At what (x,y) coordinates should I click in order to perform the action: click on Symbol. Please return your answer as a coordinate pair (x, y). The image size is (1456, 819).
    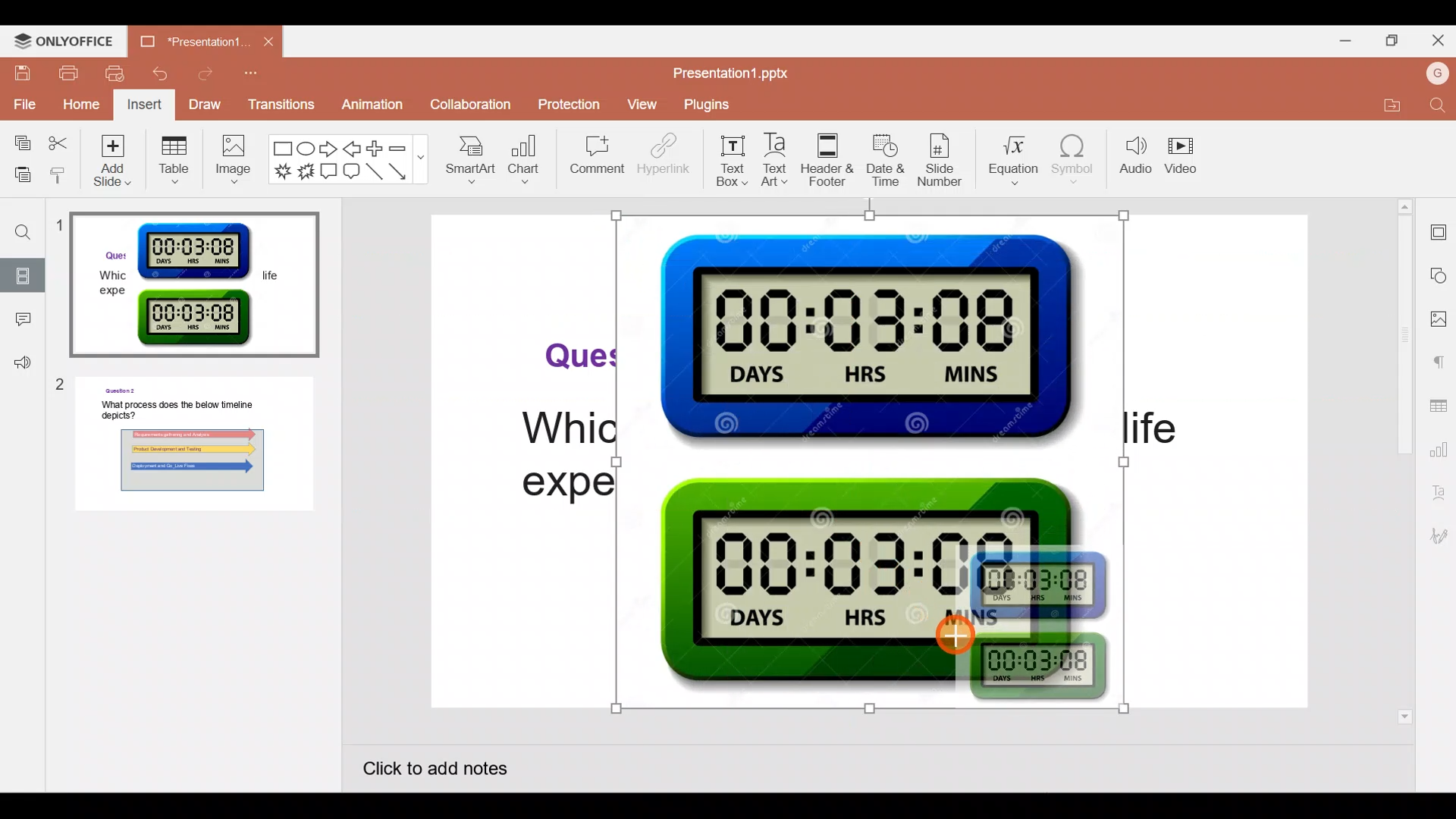
    Looking at the image, I should click on (1077, 158).